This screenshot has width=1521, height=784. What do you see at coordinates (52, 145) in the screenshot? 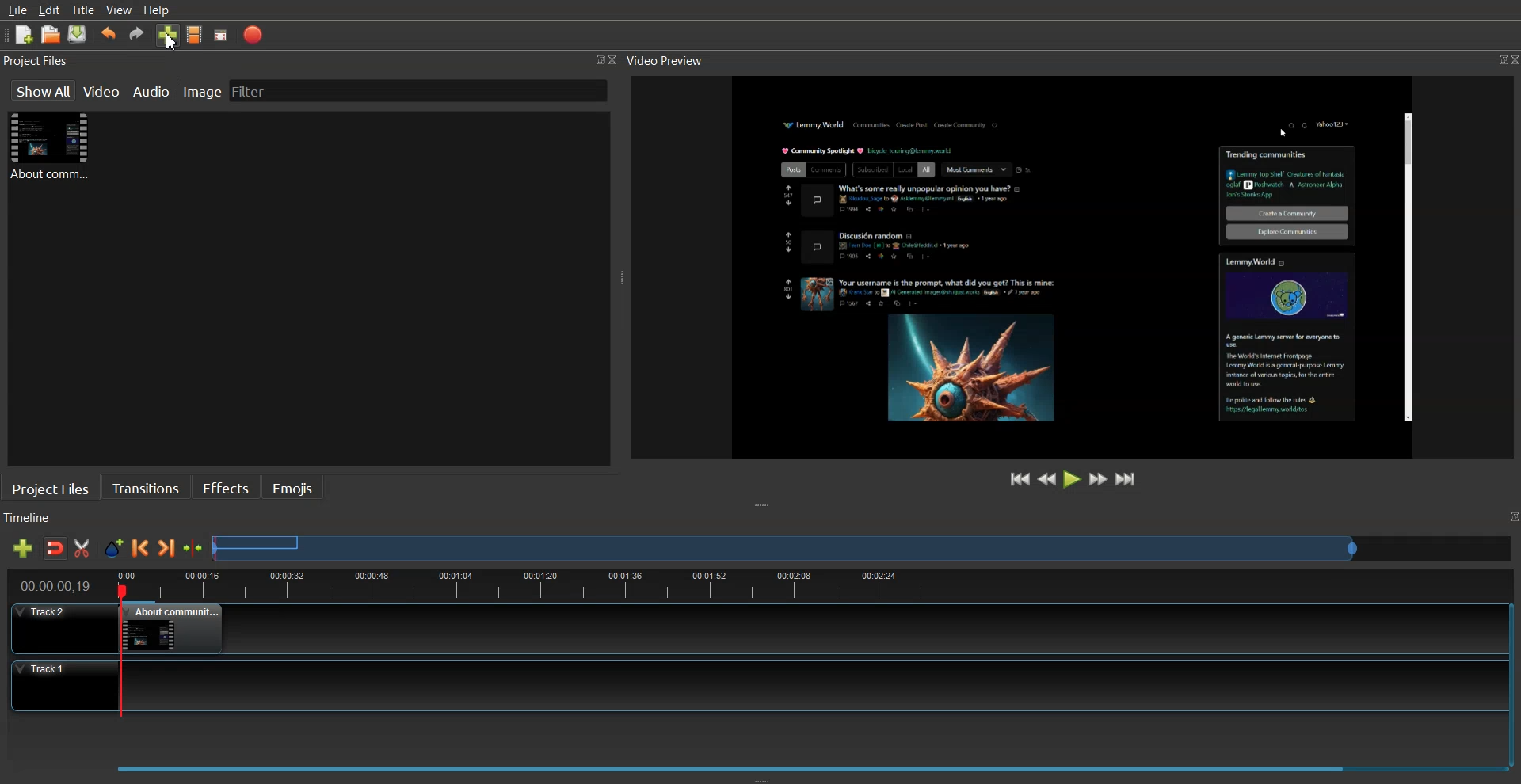
I see `Video File` at bounding box center [52, 145].